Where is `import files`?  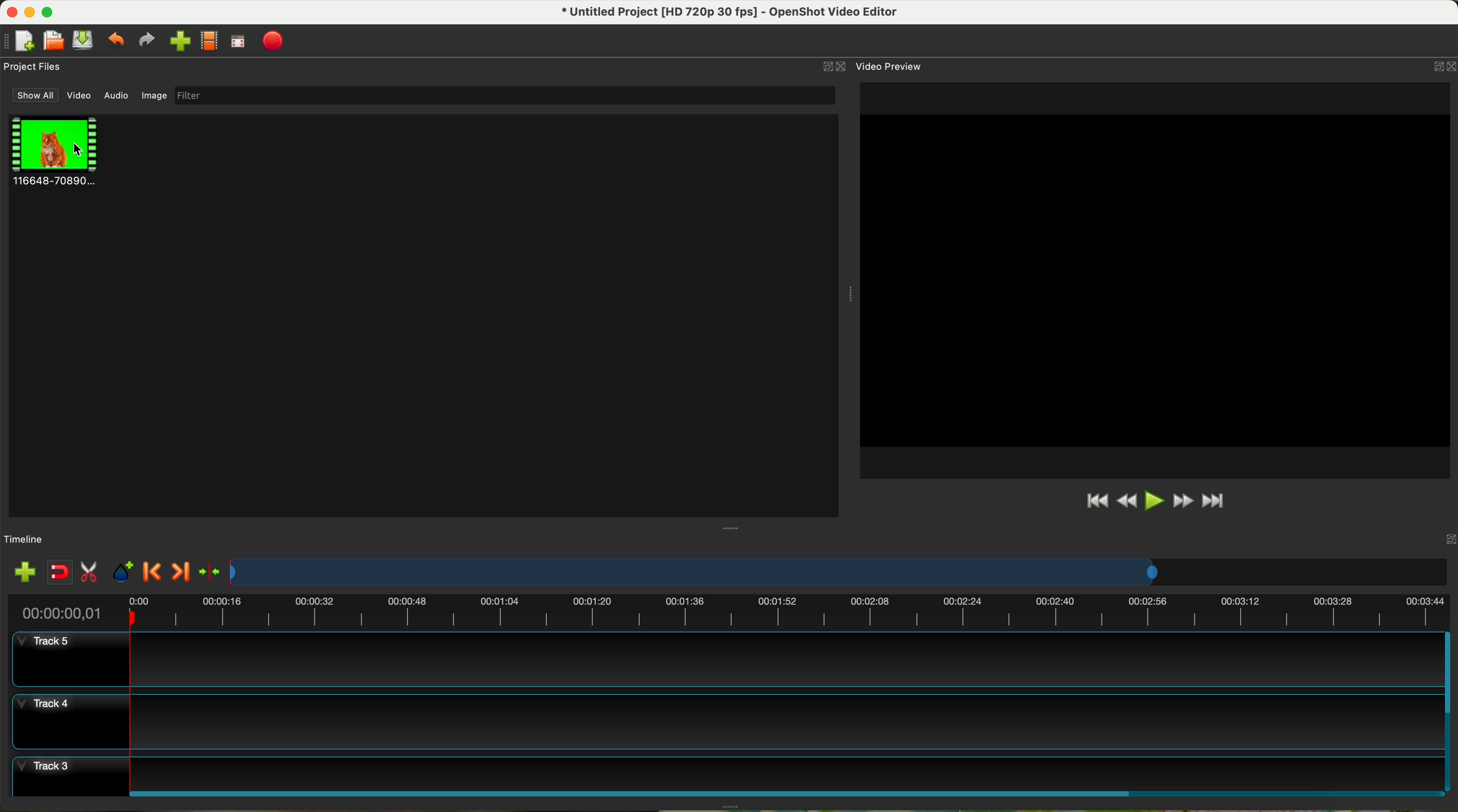
import files is located at coordinates (24, 573).